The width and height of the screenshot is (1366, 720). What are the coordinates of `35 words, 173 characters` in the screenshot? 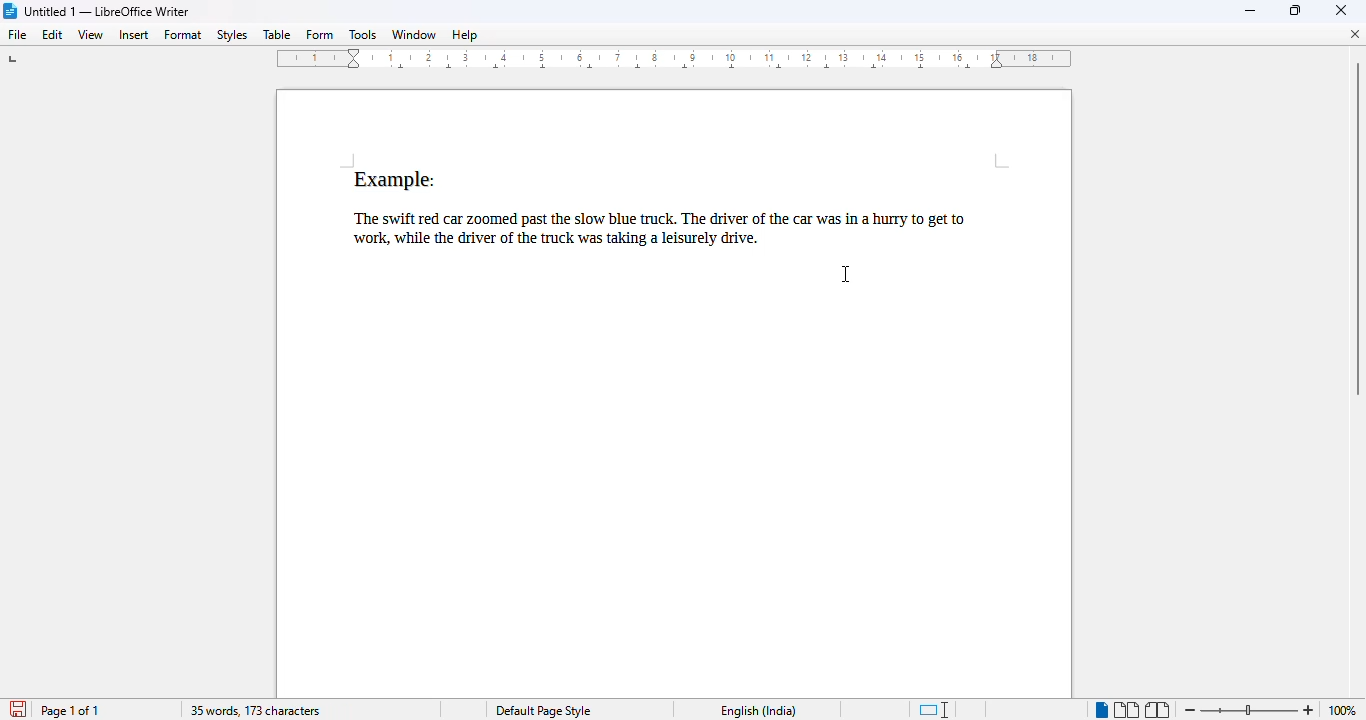 It's located at (256, 711).